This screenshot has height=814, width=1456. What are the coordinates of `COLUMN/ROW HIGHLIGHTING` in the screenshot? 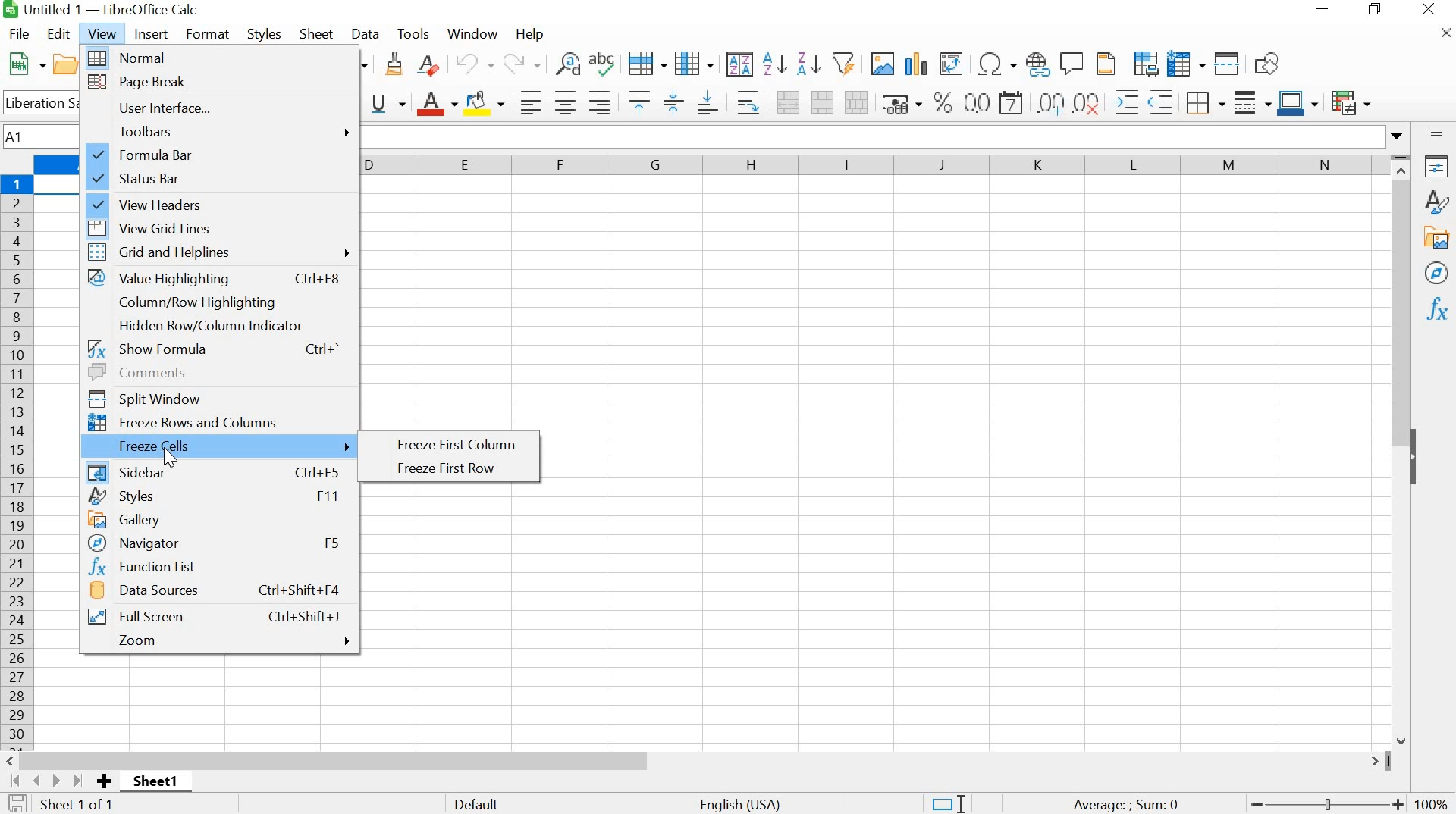 It's located at (206, 302).